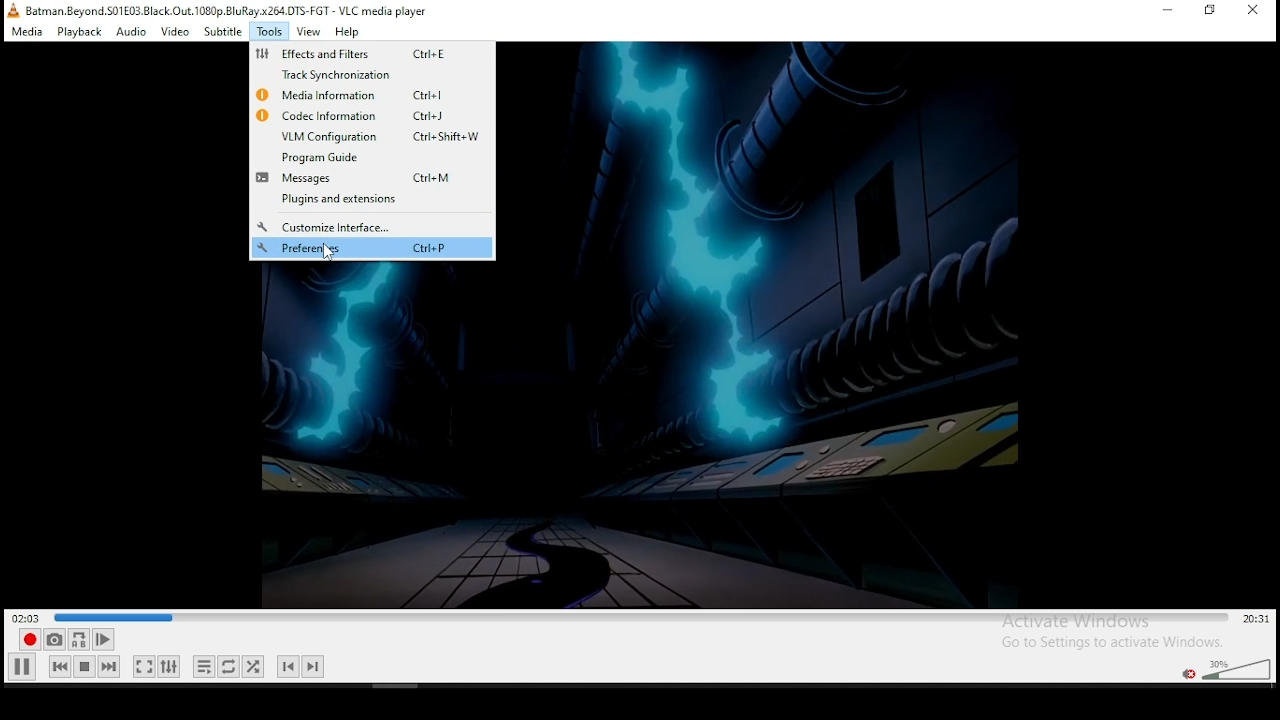 The width and height of the screenshot is (1280, 720). Describe the element at coordinates (23, 666) in the screenshot. I see `play/pause` at that location.